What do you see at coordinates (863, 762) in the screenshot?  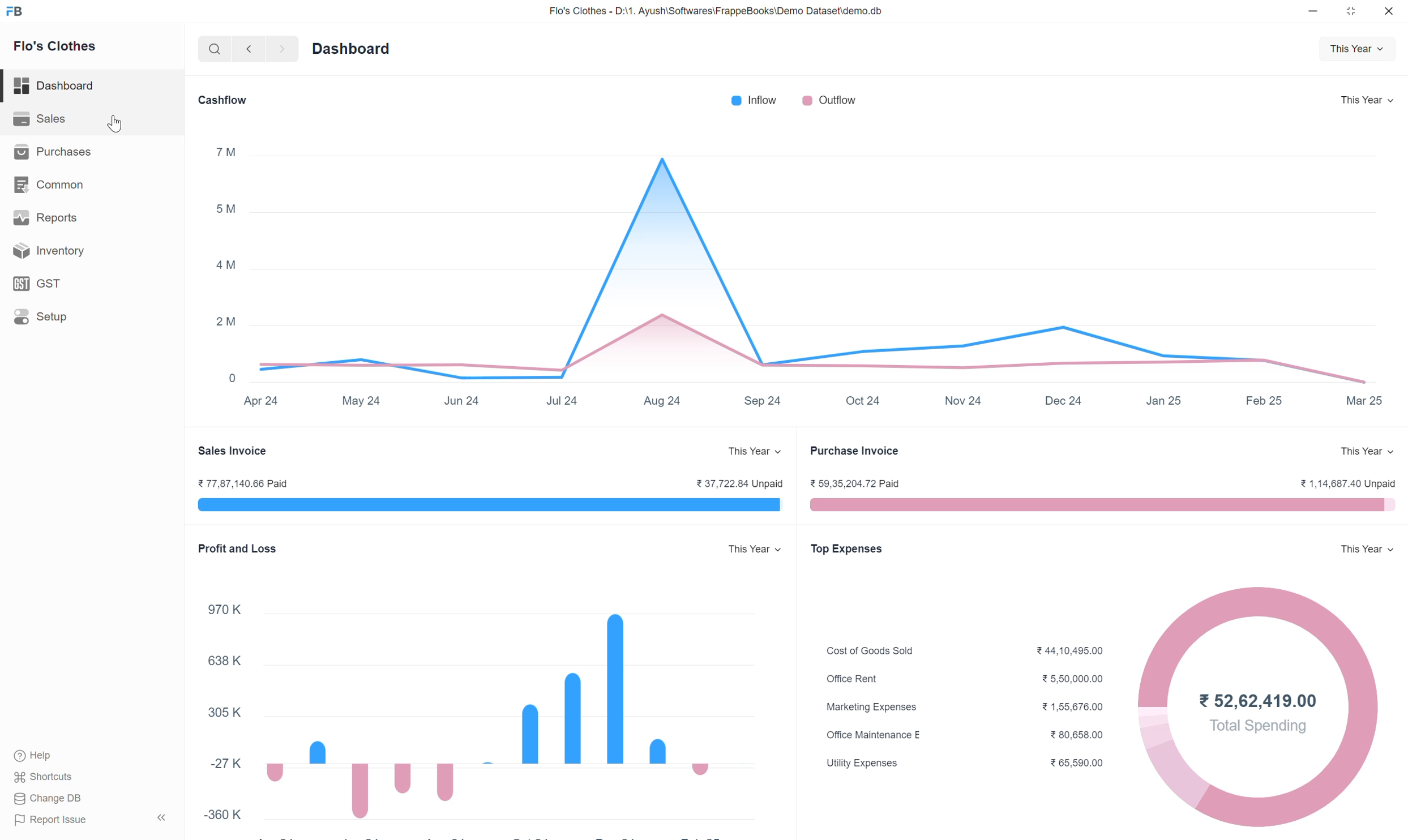 I see `Utility Expenses` at bounding box center [863, 762].